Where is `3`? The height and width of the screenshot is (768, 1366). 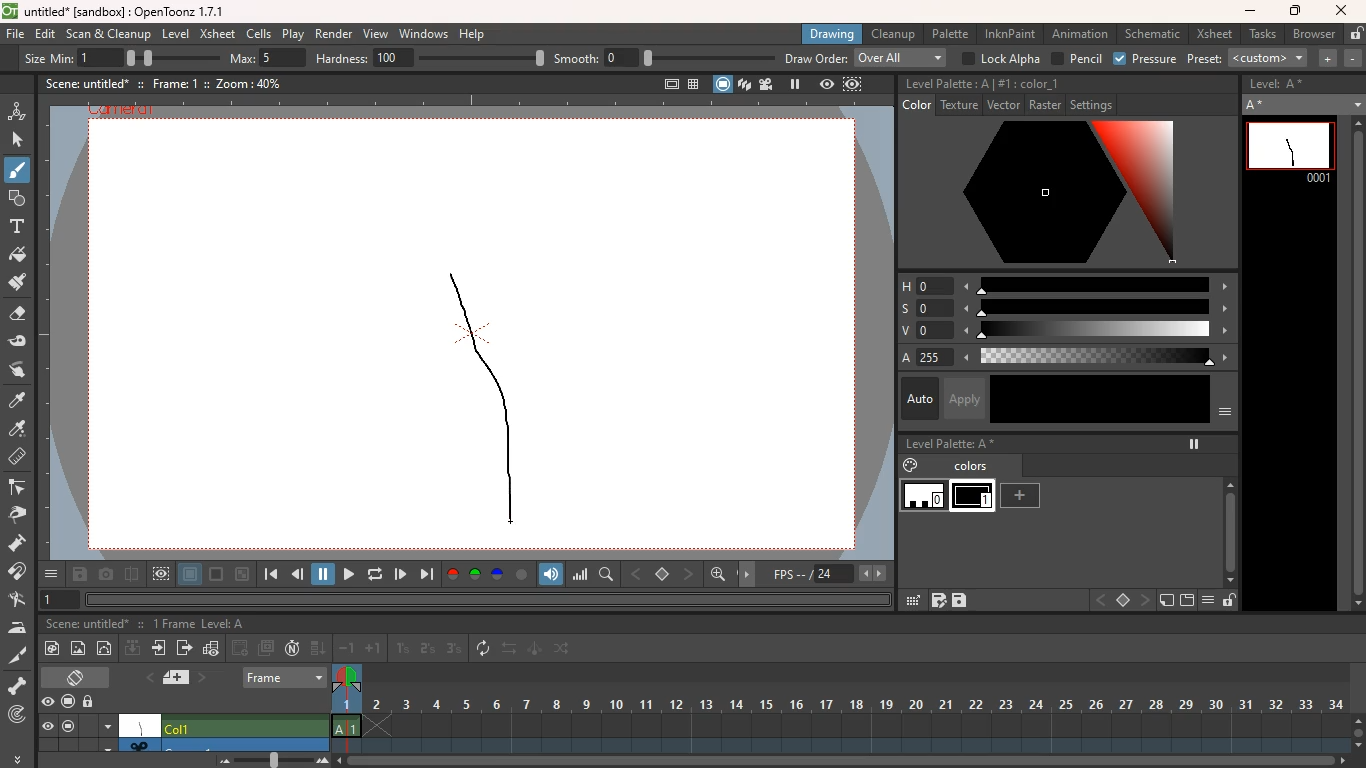
3 is located at coordinates (454, 650).